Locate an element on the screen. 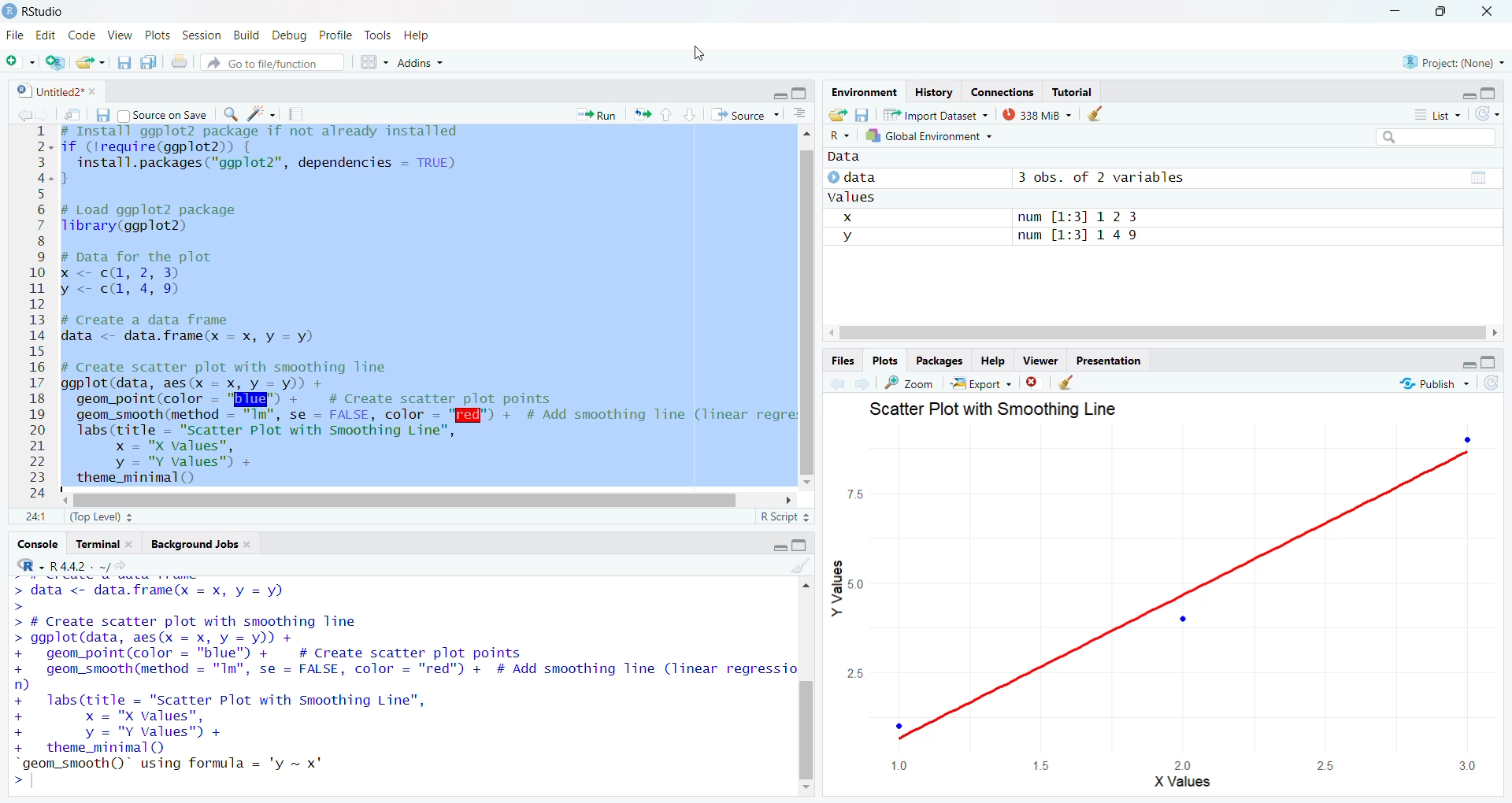 Image resolution: width=1512 pixels, height=803 pixels. Code is located at coordinates (83, 35).